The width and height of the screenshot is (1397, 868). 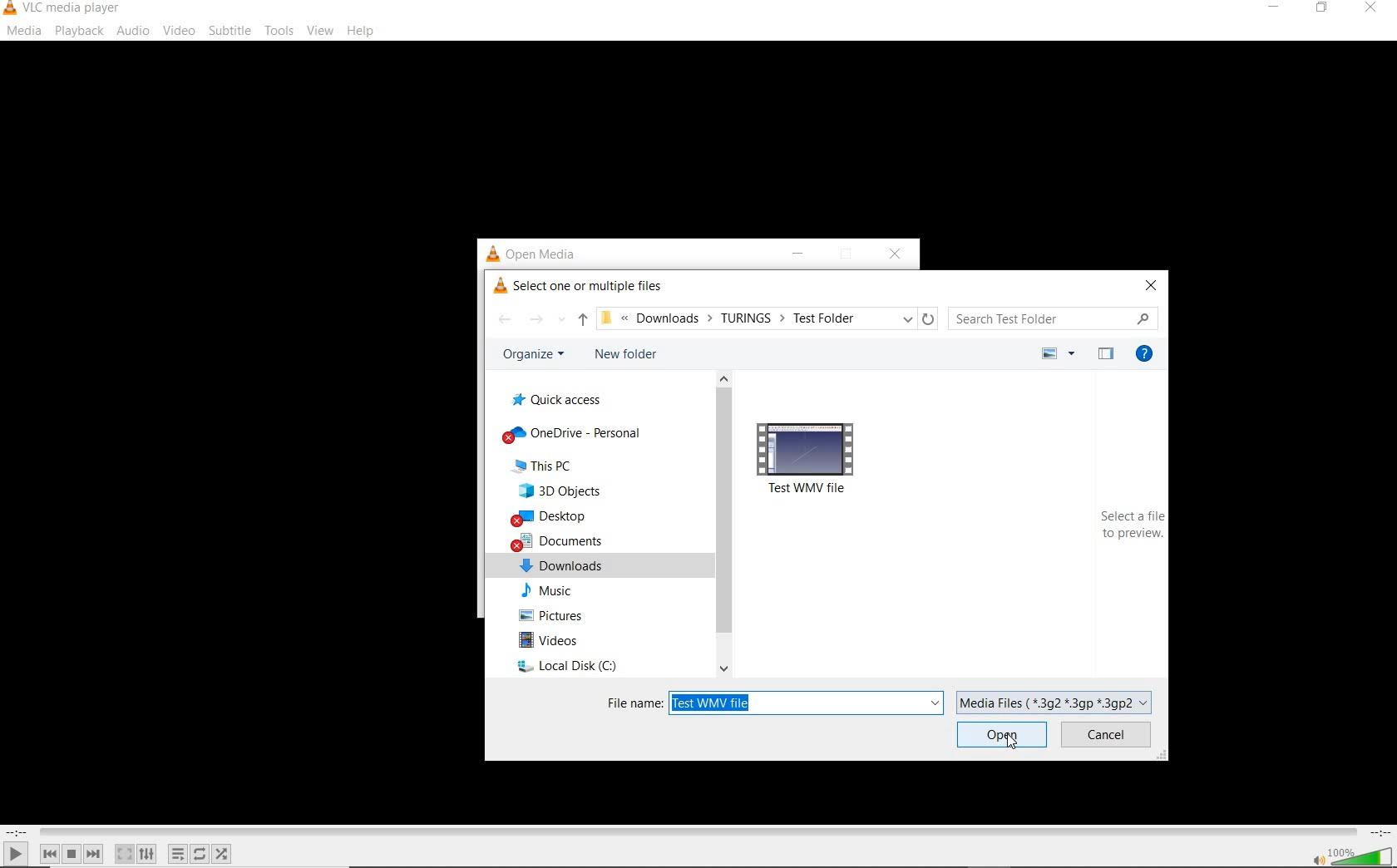 What do you see at coordinates (532, 254) in the screenshot?
I see `open media` at bounding box center [532, 254].